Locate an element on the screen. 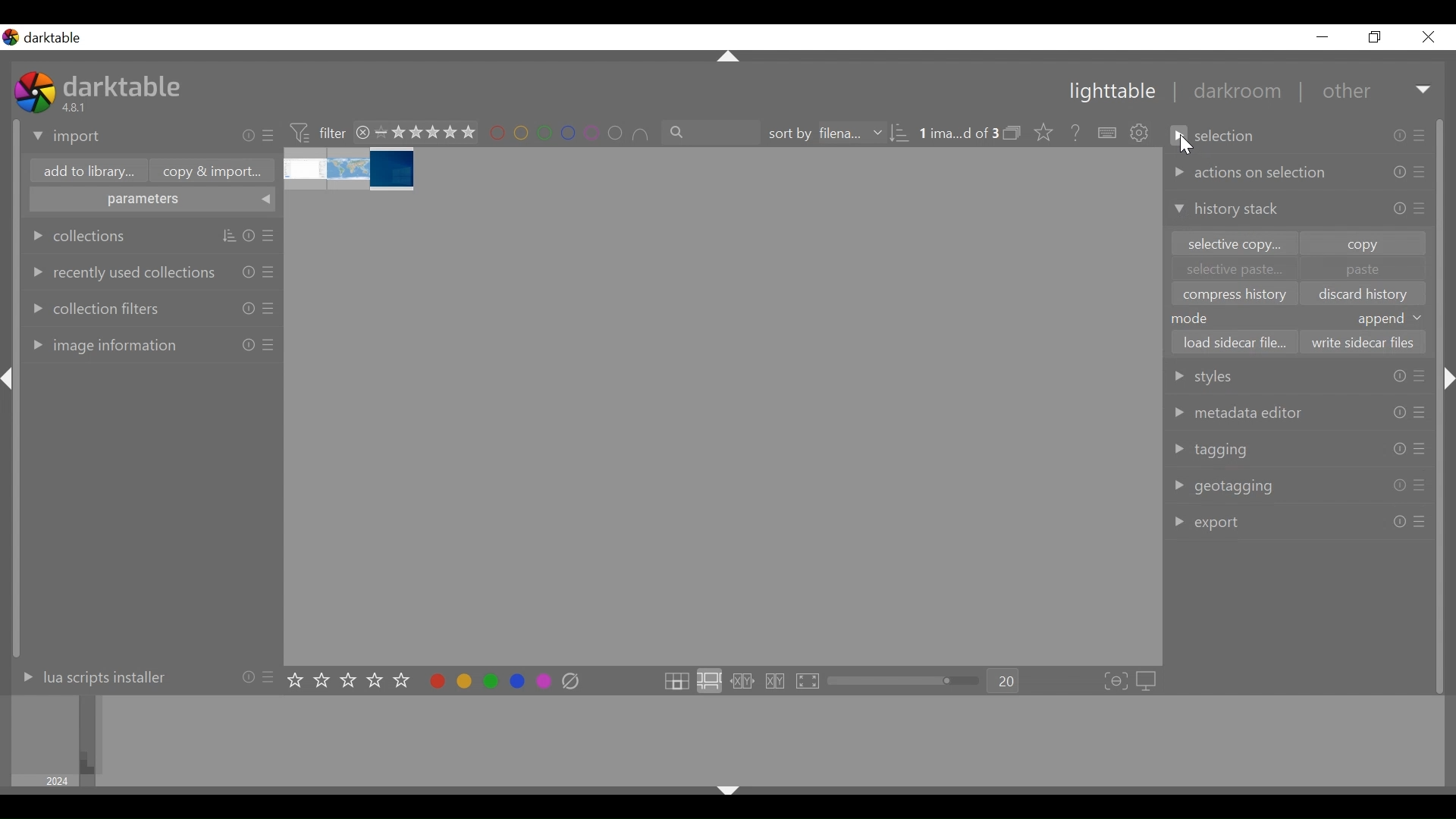 The image size is (1456, 819). mode is located at coordinates (1194, 318).